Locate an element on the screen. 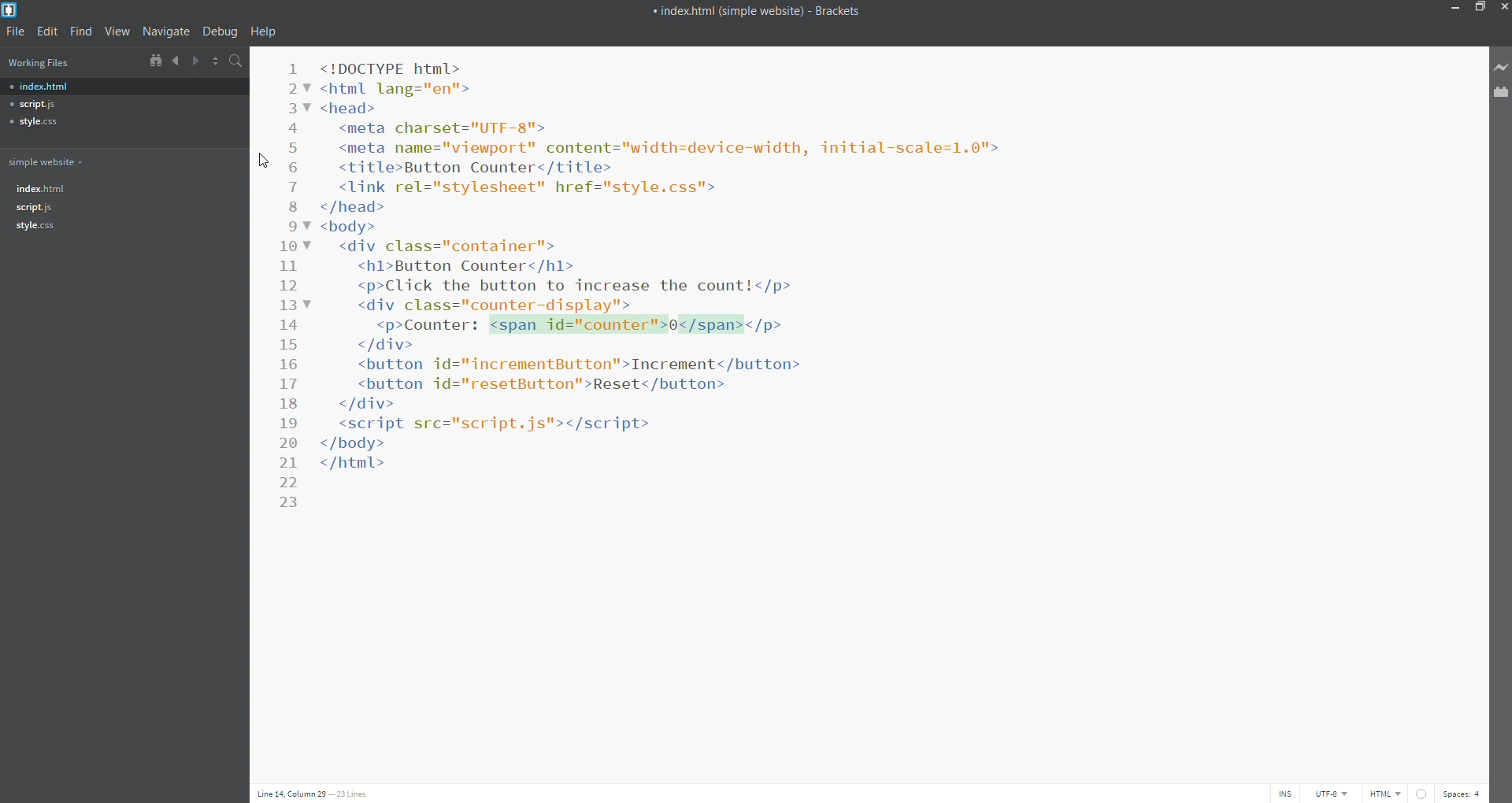  file type: html is located at coordinates (1386, 793).